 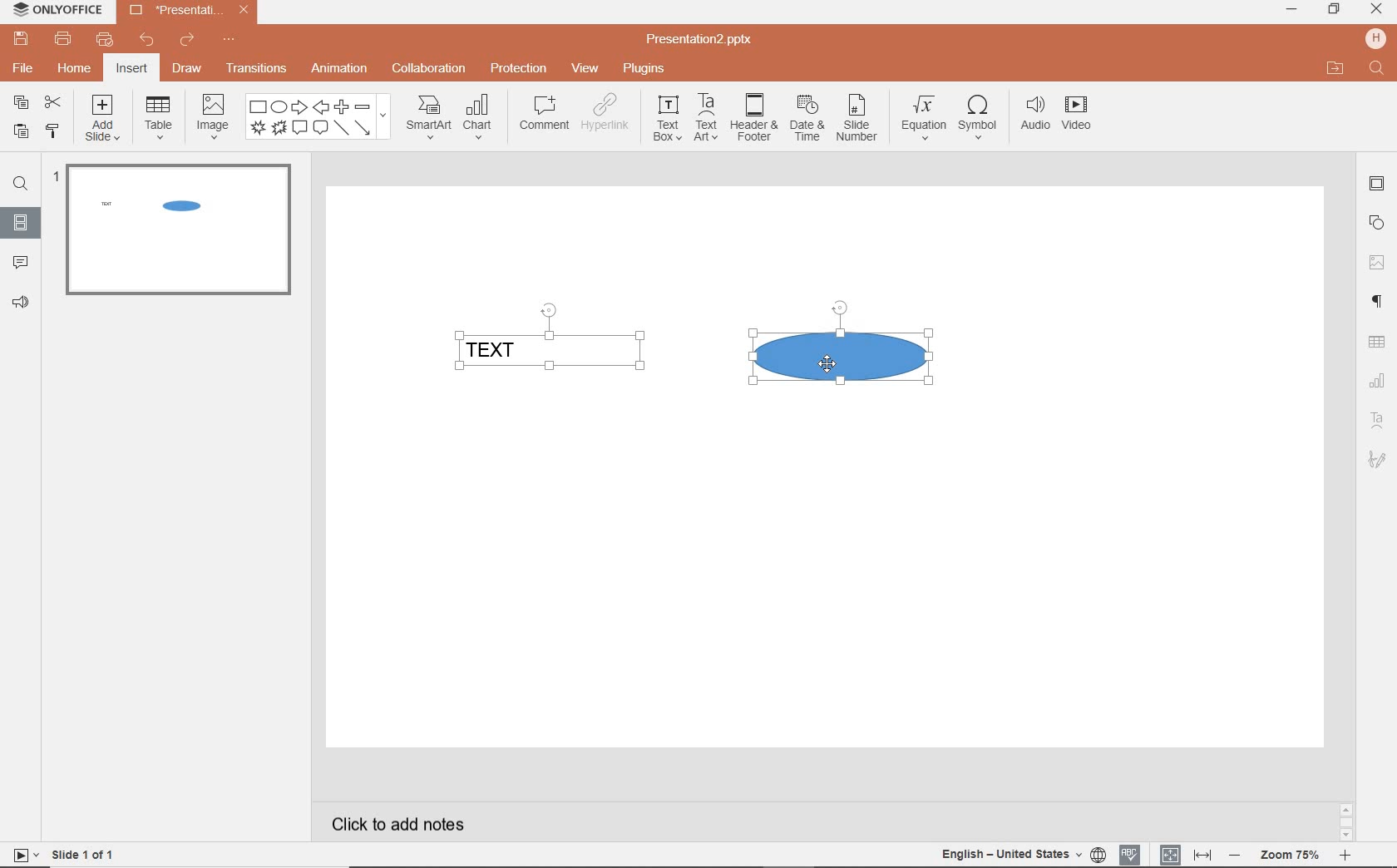 I want to click on hyperlink, so click(x=606, y=114).